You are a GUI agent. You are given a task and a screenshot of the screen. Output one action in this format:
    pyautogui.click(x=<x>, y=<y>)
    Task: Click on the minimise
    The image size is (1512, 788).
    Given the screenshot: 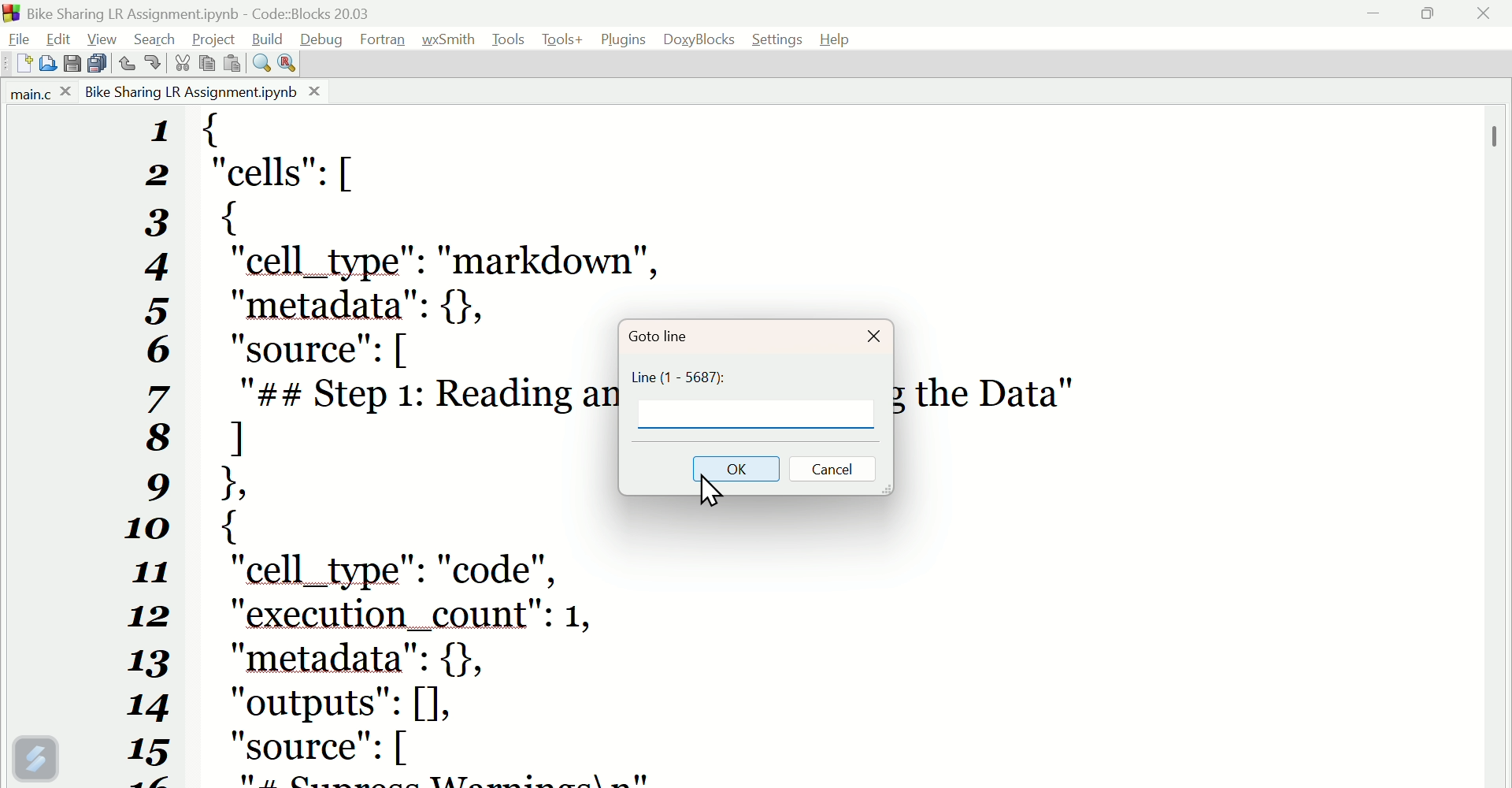 What is the action you would take?
    pyautogui.click(x=1382, y=19)
    